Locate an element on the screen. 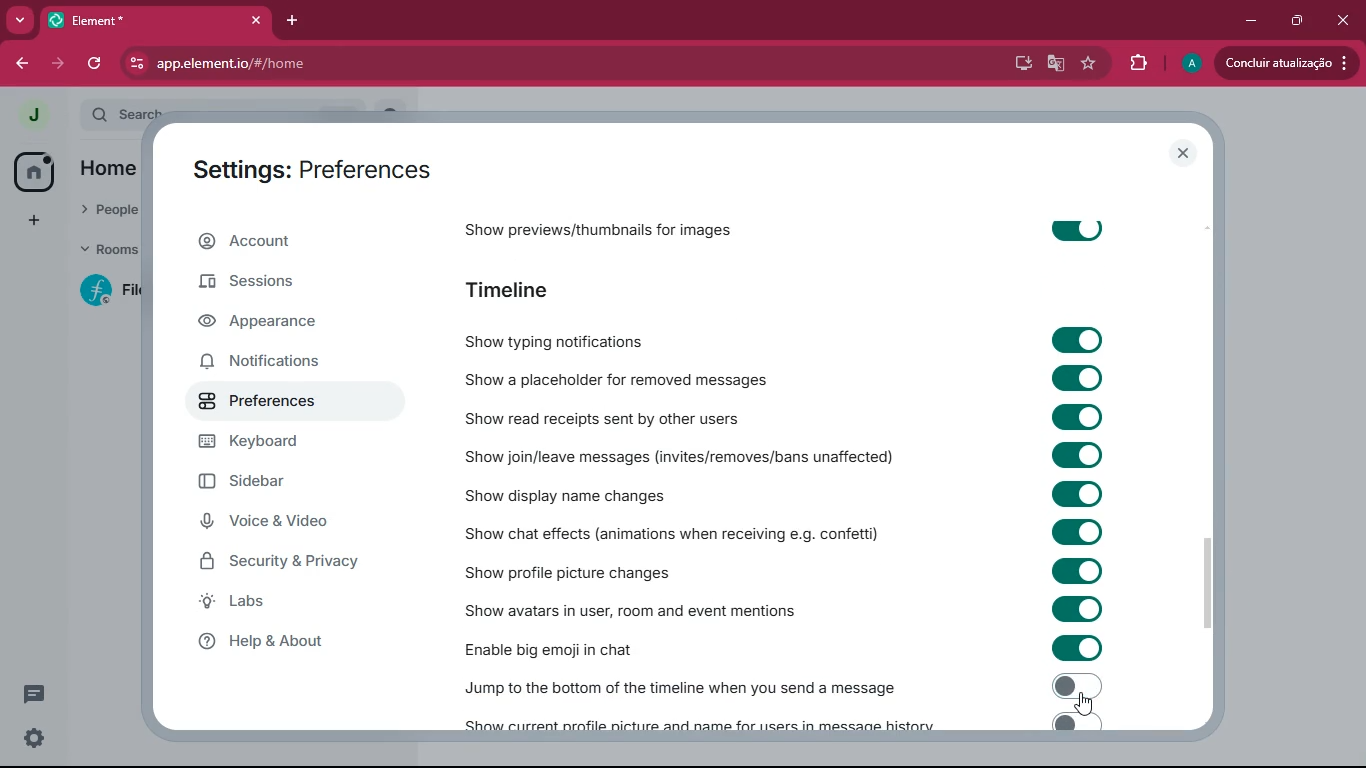 Image resolution: width=1366 pixels, height=768 pixels. add tab is located at coordinates (293, 20).